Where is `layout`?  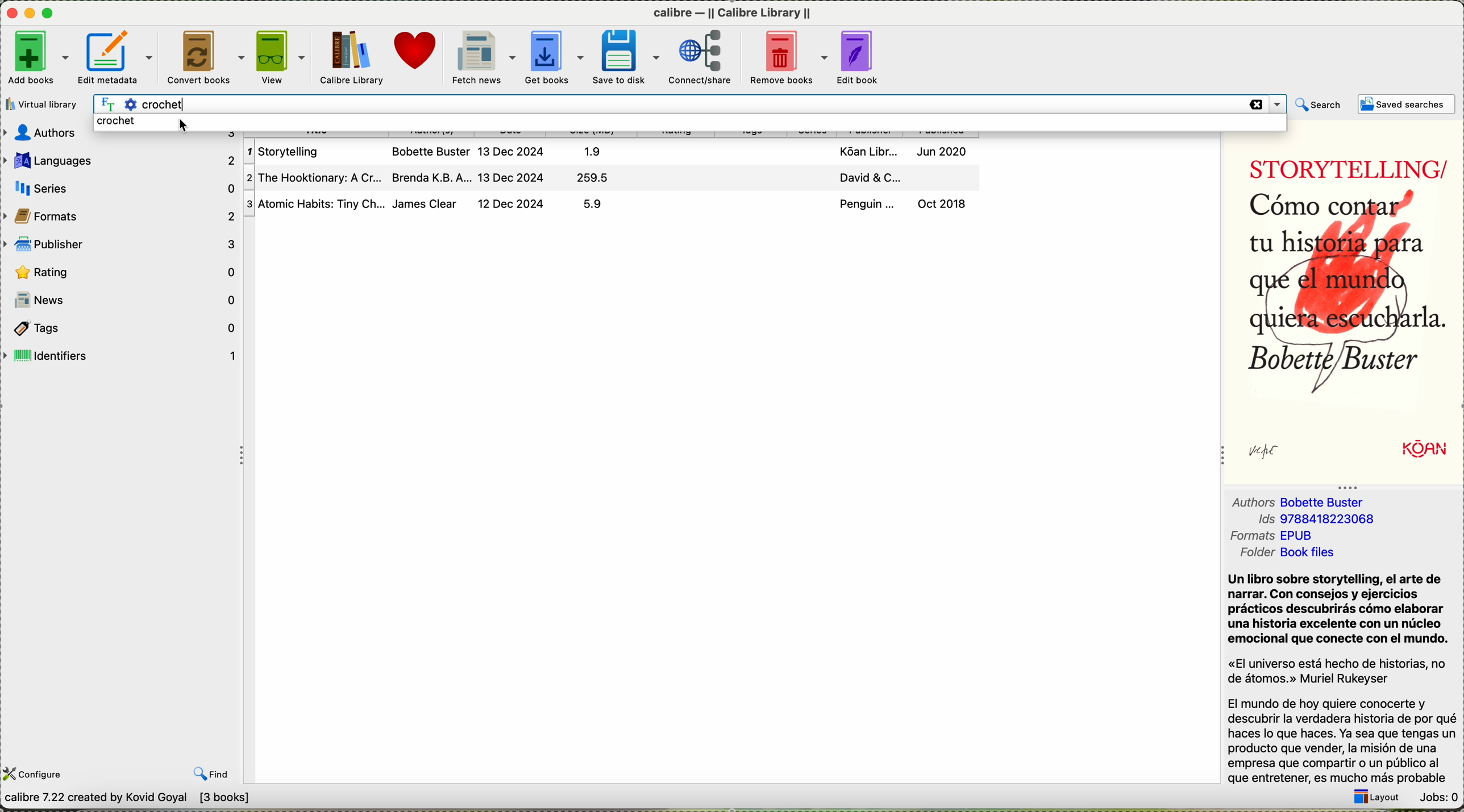 layout is located at coordinates (1377, 798).